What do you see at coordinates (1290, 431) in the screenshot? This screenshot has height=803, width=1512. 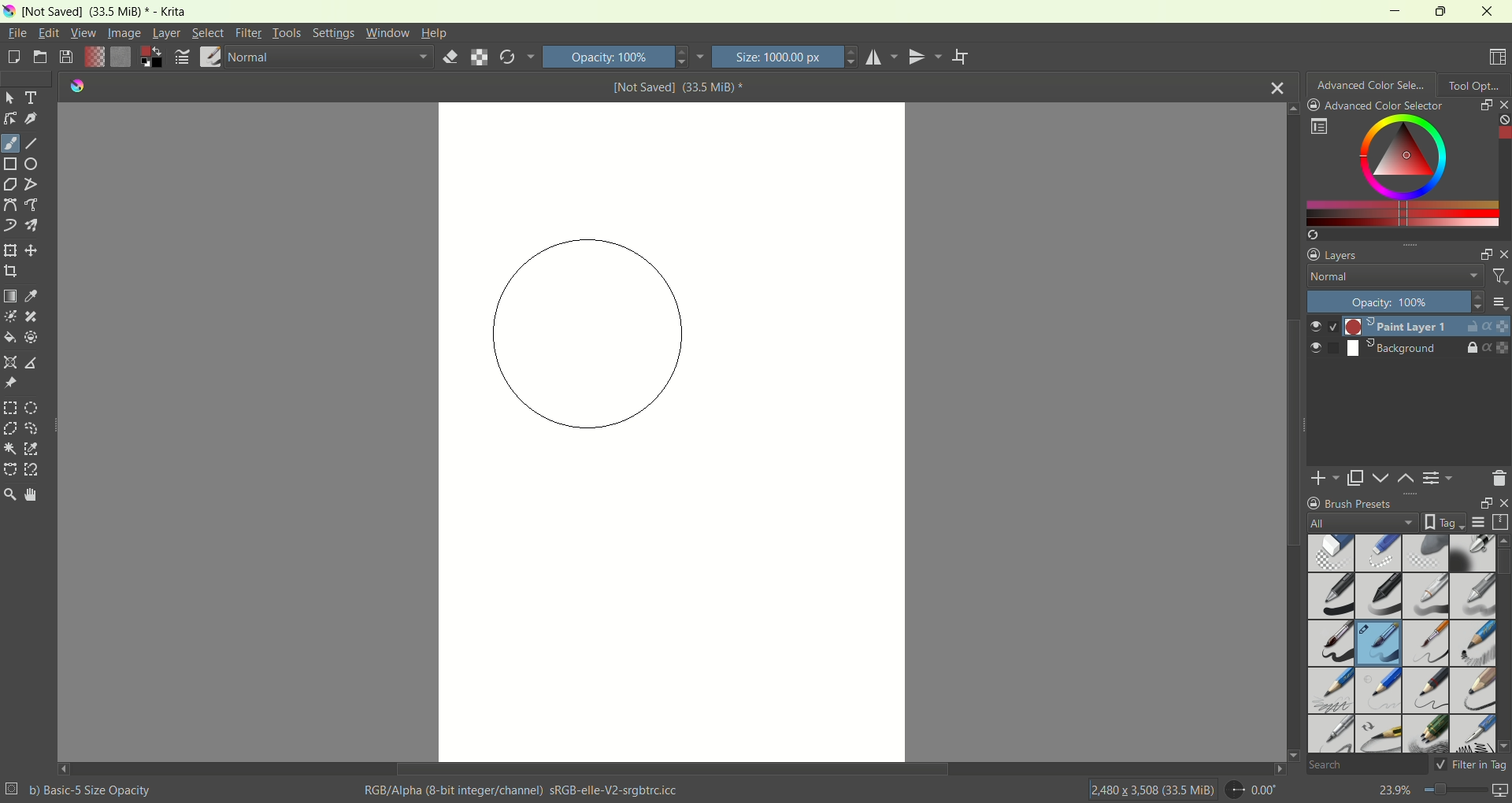 I see `vertical scroll bar` at bounding box center [1290, 431].